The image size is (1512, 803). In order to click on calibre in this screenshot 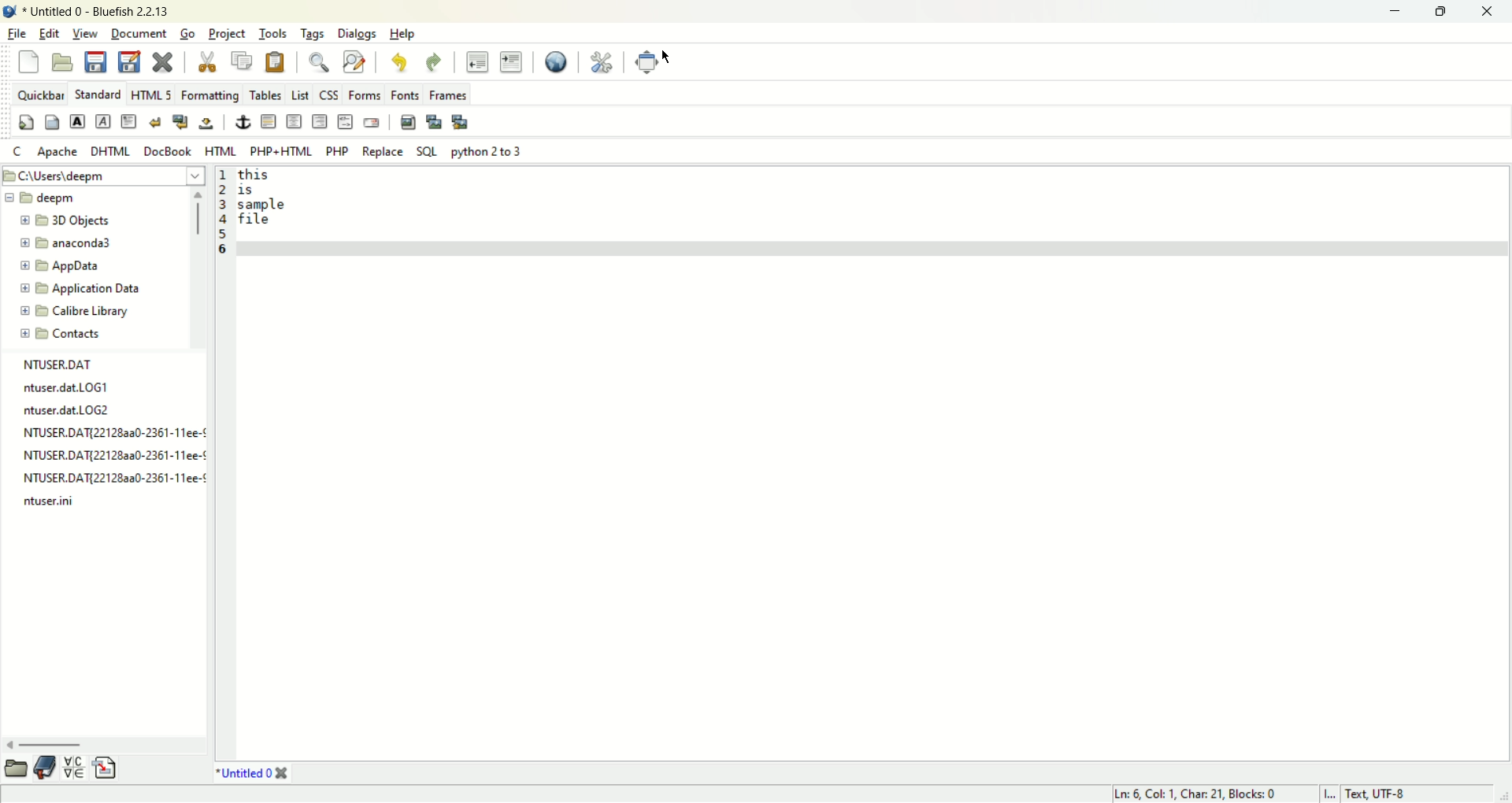, I will do `click(77, 311)`.